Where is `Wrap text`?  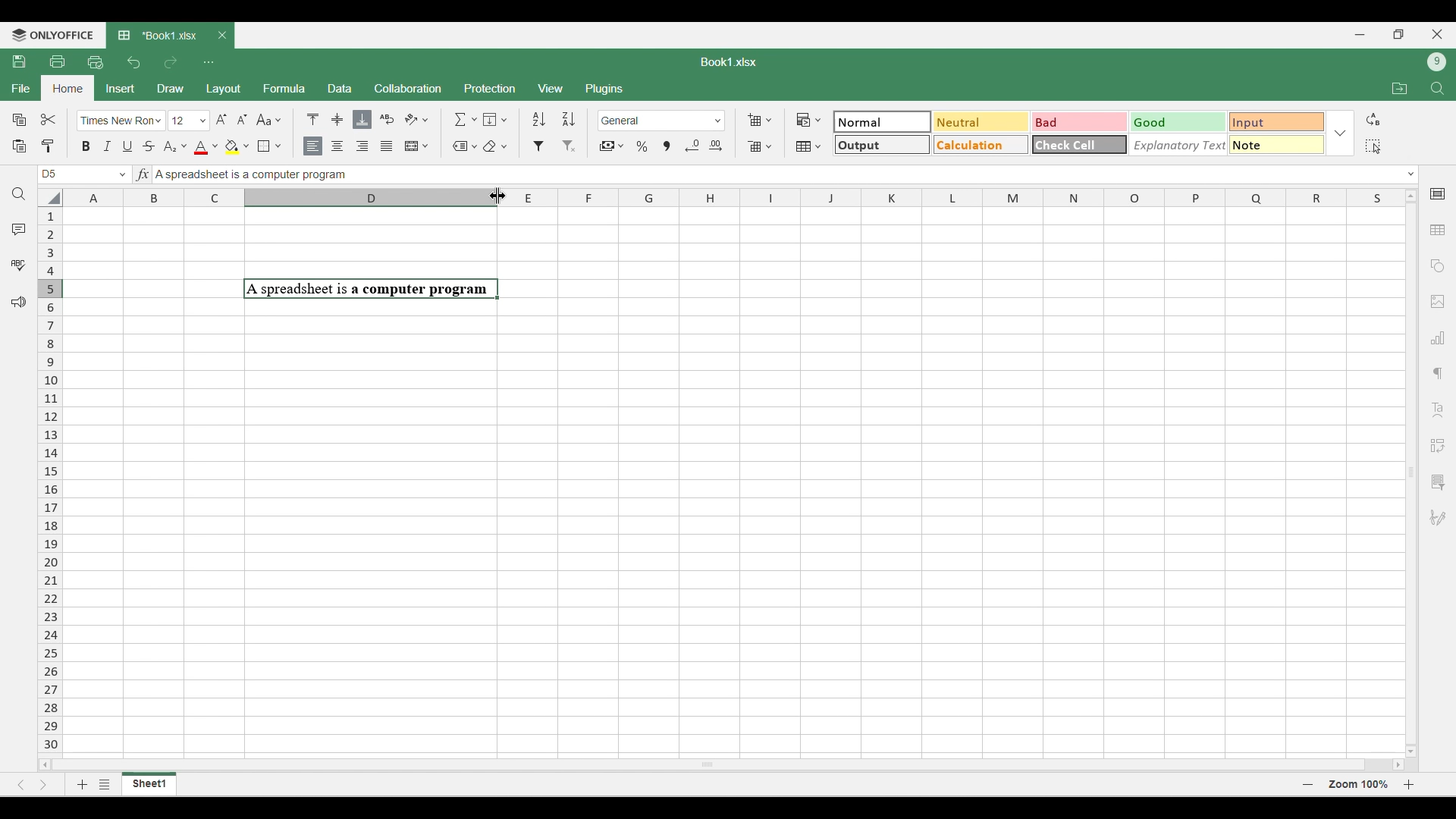 Wrap text is located at coordinates (388, 119).